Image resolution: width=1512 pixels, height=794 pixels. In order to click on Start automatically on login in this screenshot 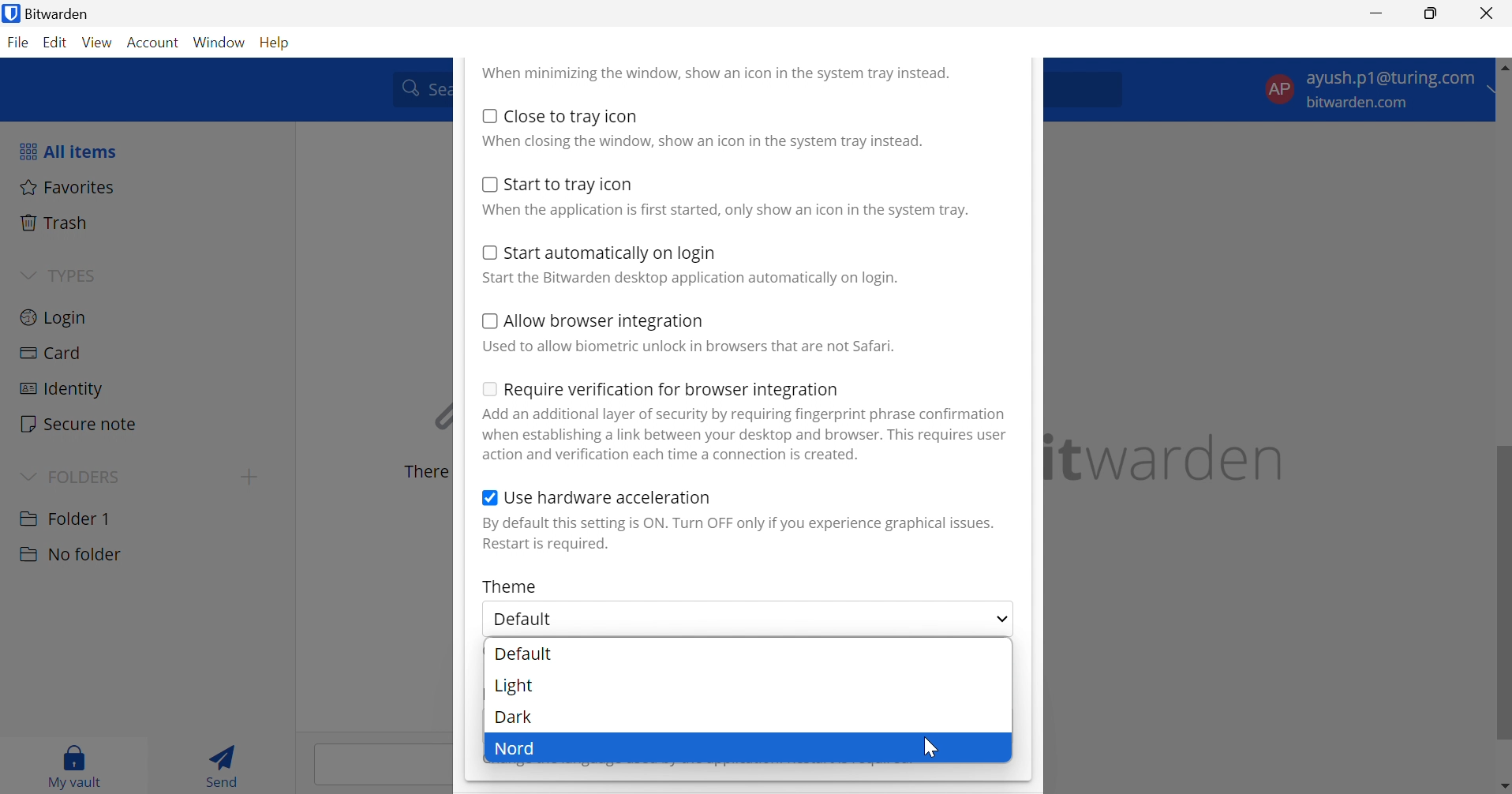, I will do `click(612, 254)`.